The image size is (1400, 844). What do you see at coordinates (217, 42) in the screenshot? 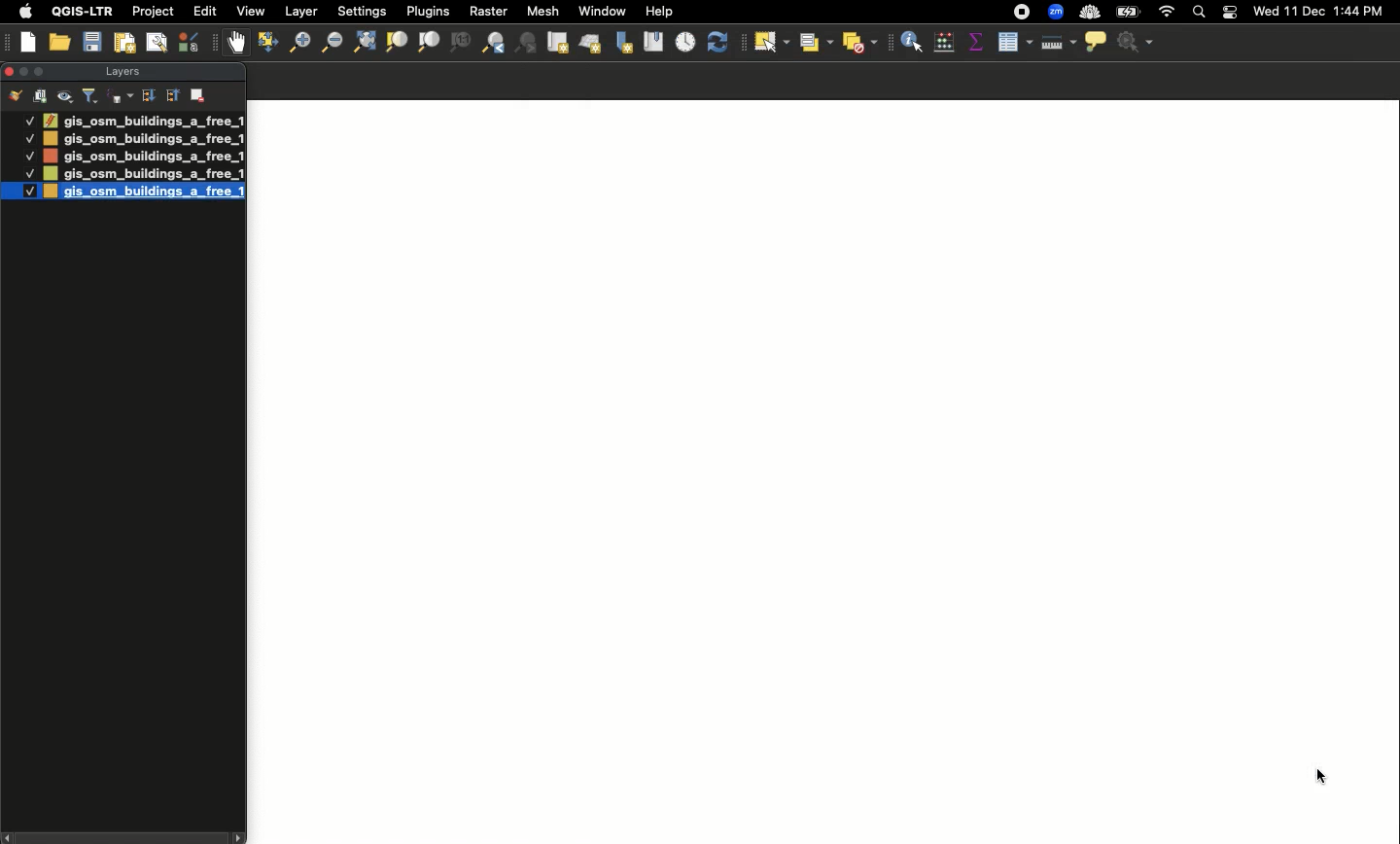
I see `` at bounding box center [217, 42].